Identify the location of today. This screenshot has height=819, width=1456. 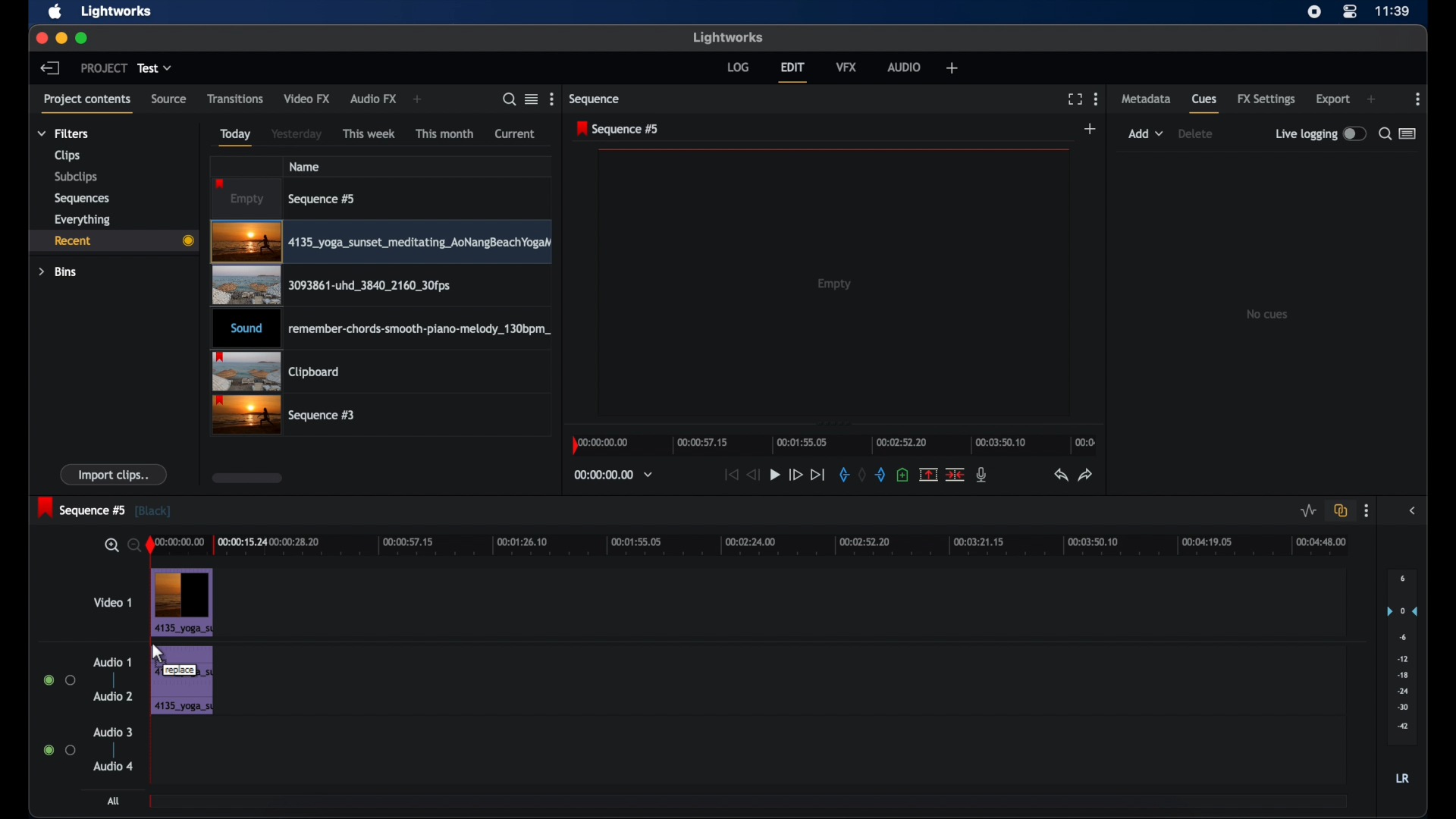
(236, 137).